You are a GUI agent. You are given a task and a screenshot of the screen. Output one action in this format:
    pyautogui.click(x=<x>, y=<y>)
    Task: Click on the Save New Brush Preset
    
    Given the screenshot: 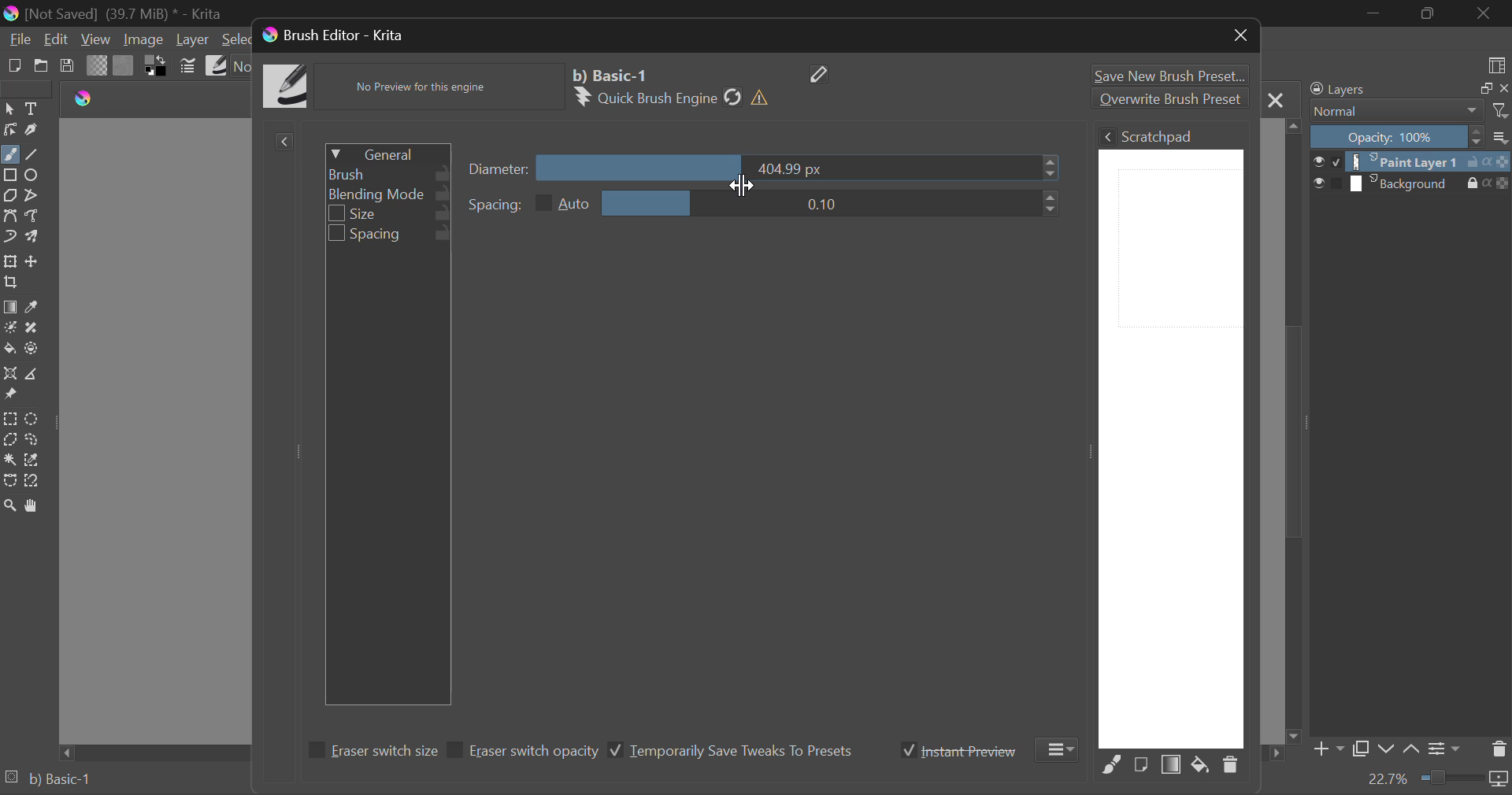 What is the action you would take?
    pyautogui.click(x=1167, y=73)
    